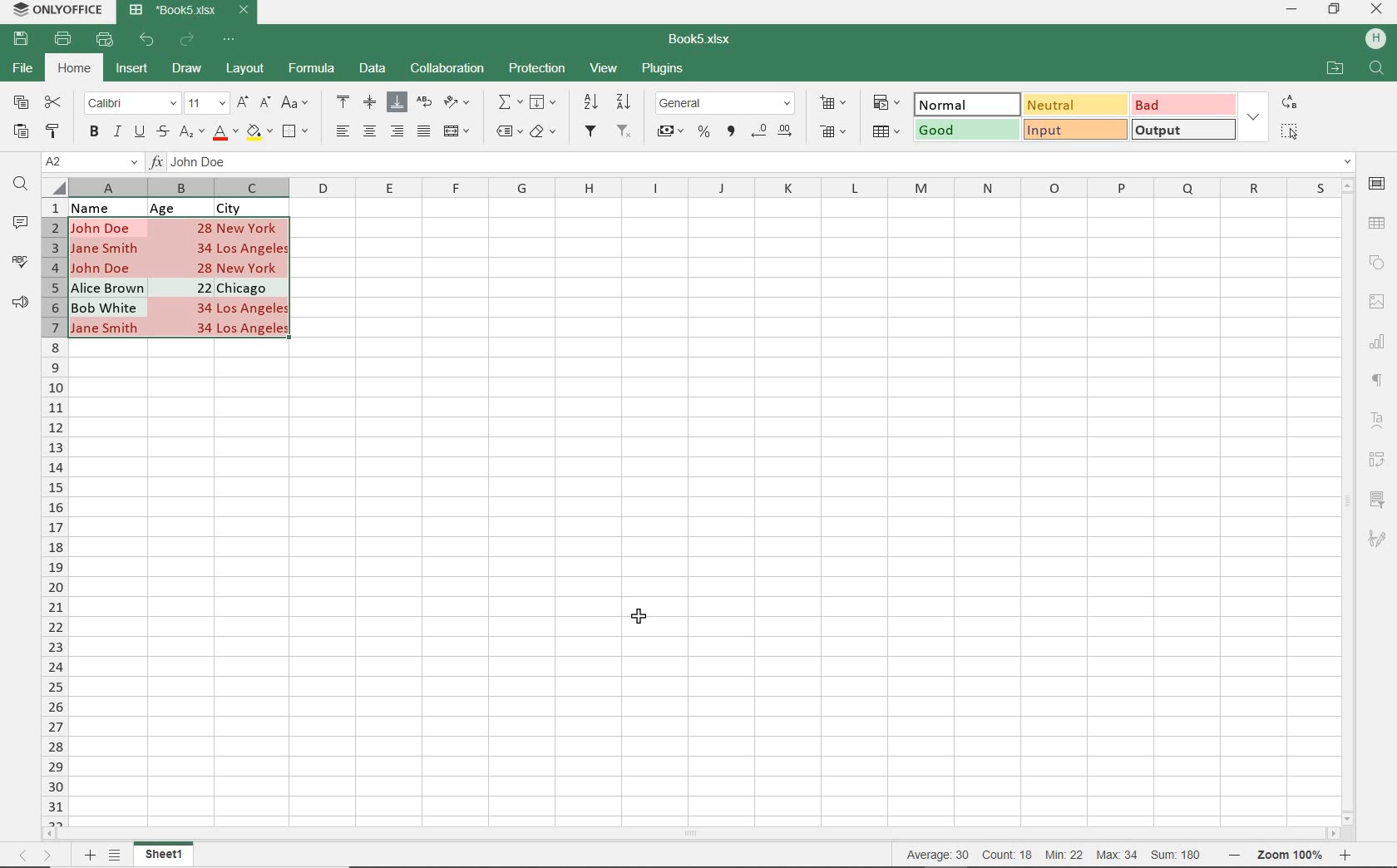 Image resolution: width=1397 pixels, height=868 pixels. Describe the element at coordinates (91, 162) in the screenshot. I see `NAME MANAGER` at that location.